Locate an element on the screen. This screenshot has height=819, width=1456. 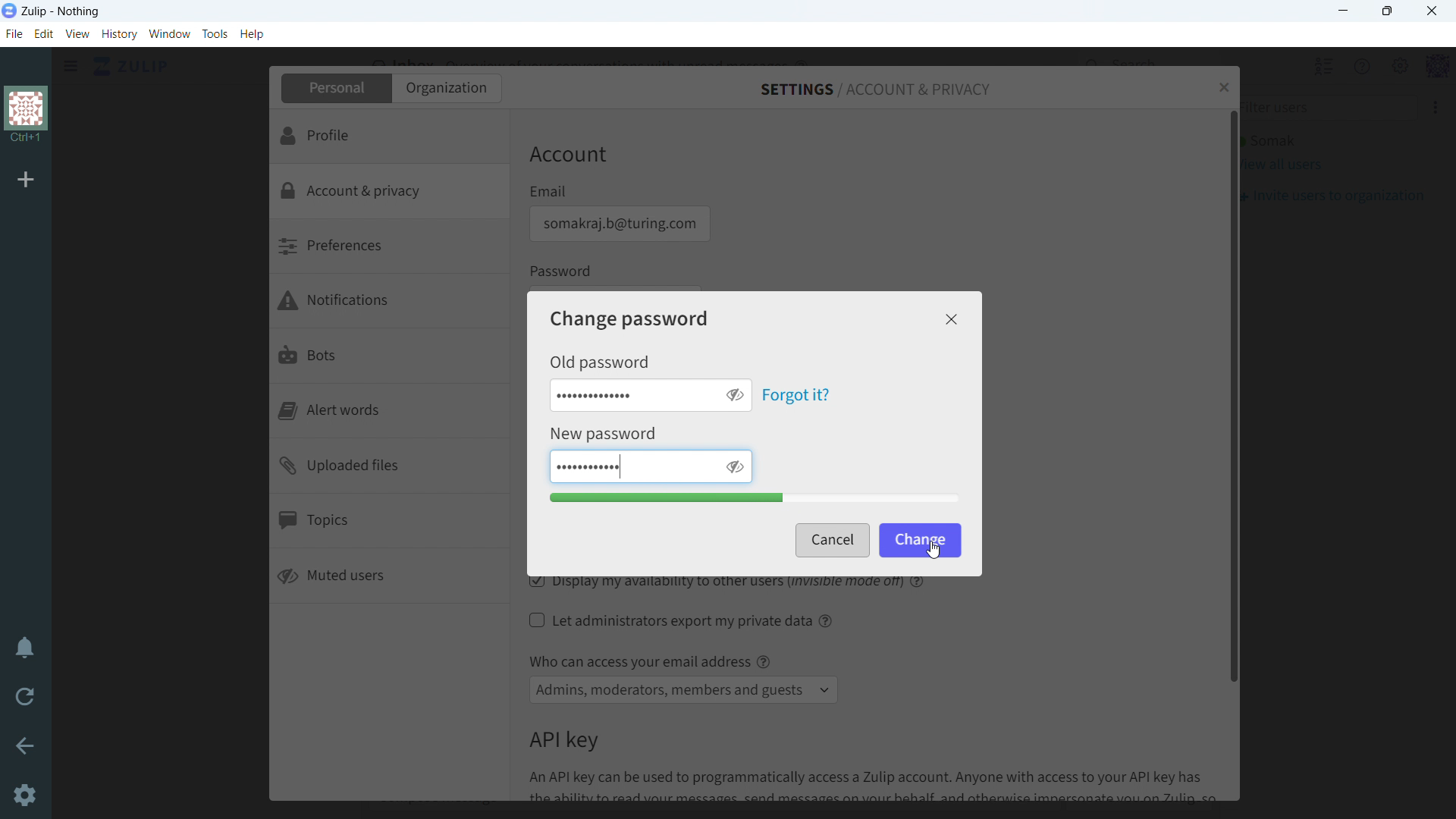
add organization is located at coordinates (26, 178).